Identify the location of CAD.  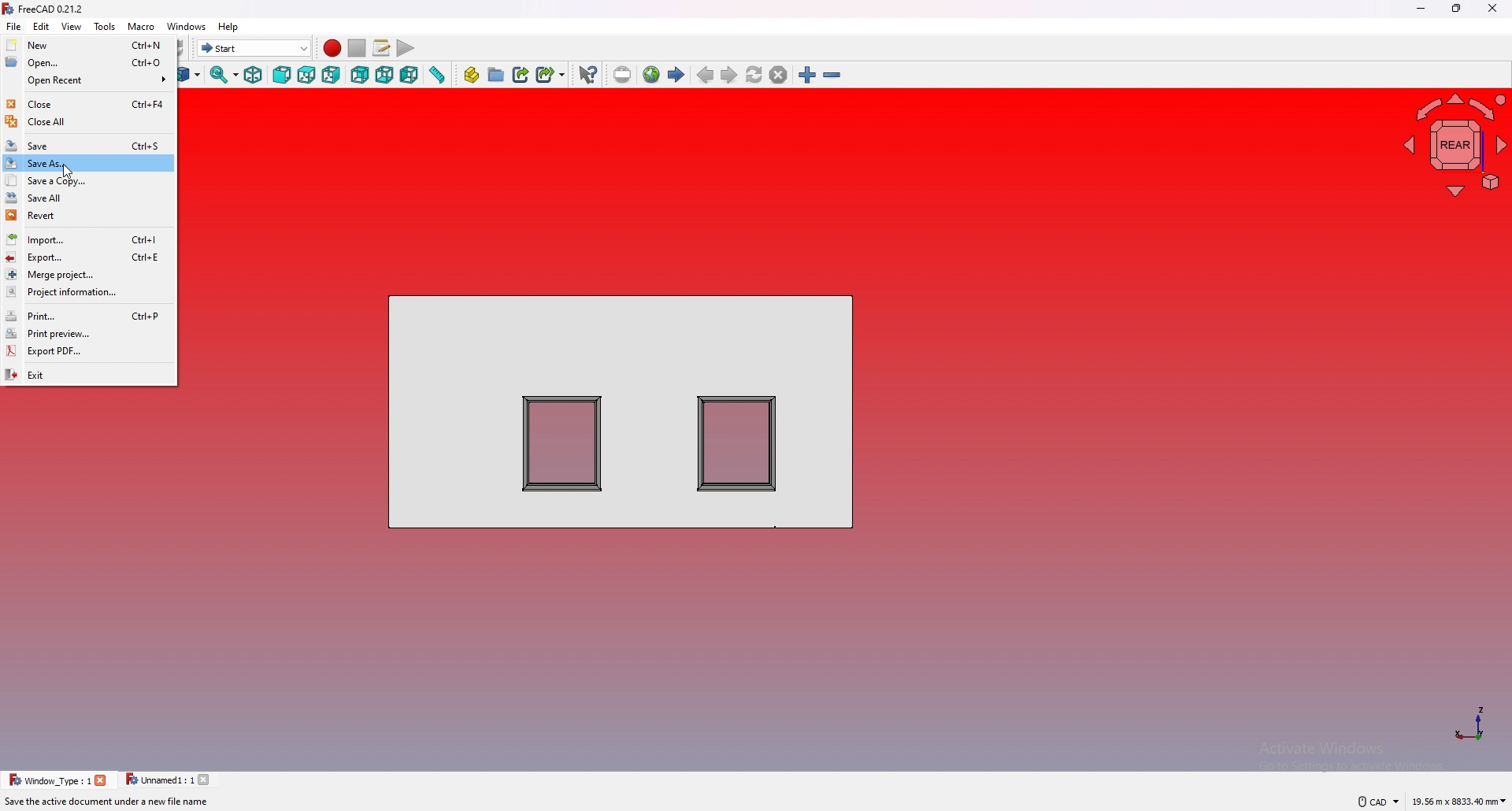
(1372, 801).